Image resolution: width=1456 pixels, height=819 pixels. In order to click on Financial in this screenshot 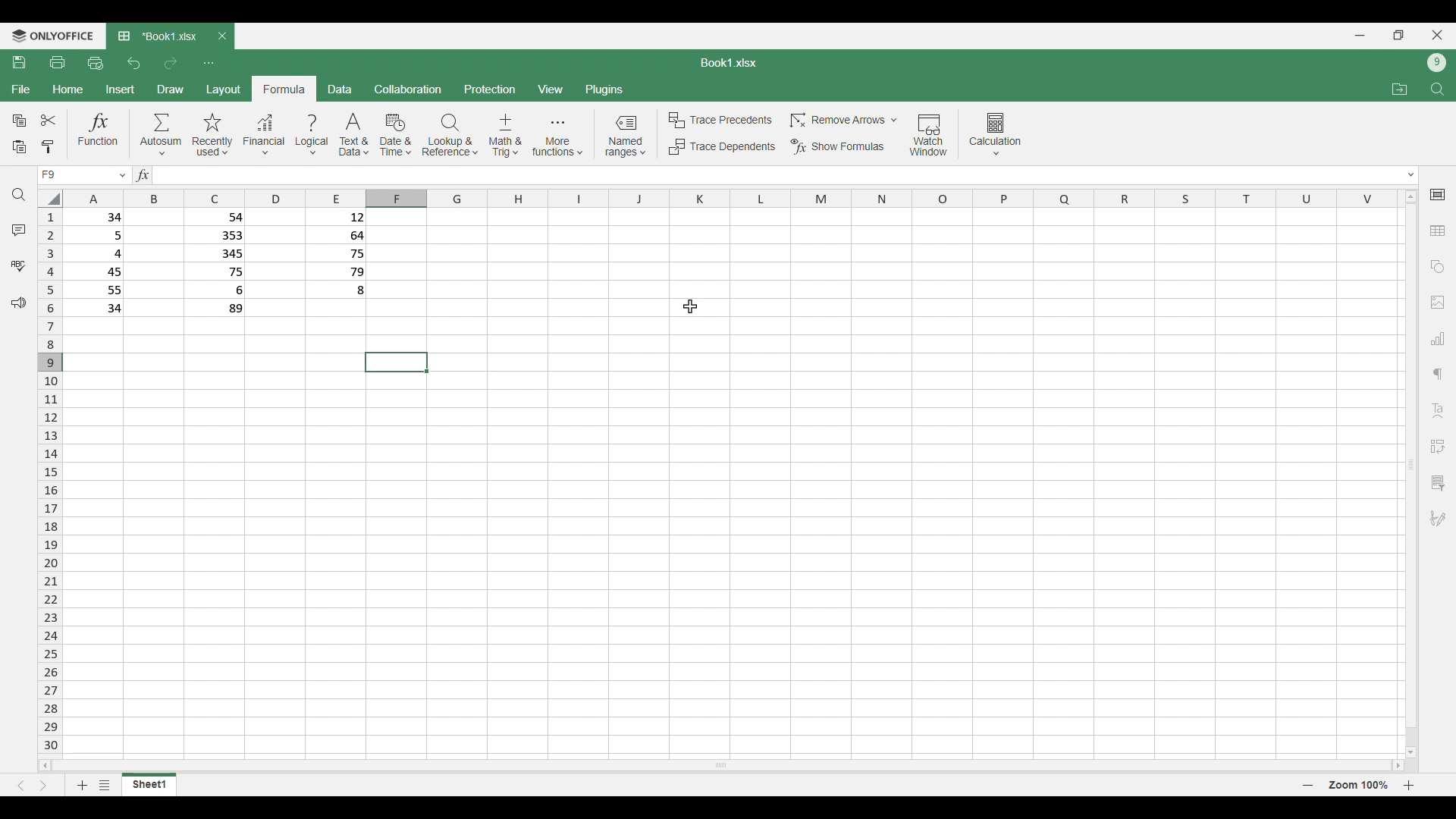, I will do `click(264, 136)`.